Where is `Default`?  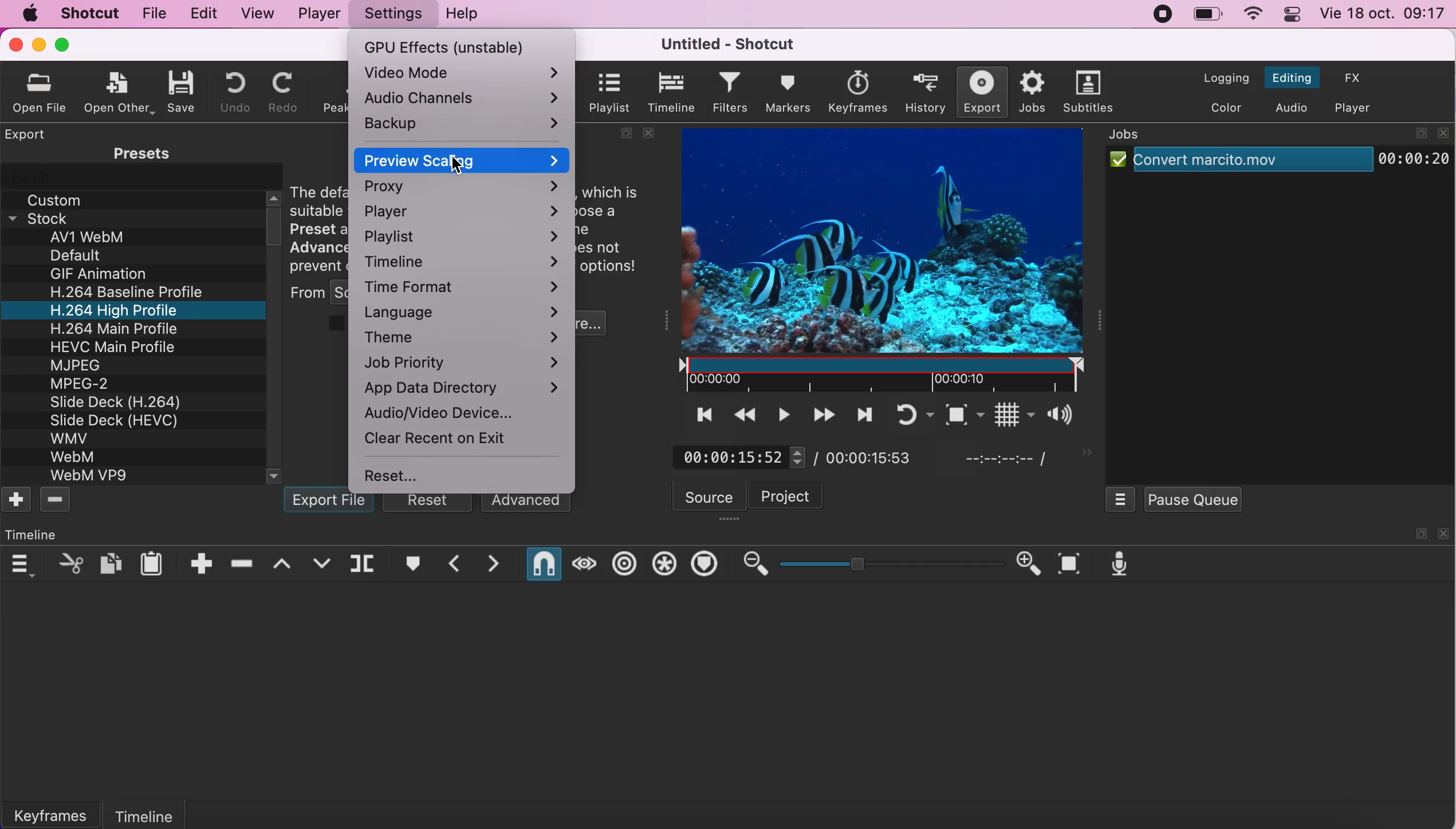
Default is located at coordinates (82, 255).